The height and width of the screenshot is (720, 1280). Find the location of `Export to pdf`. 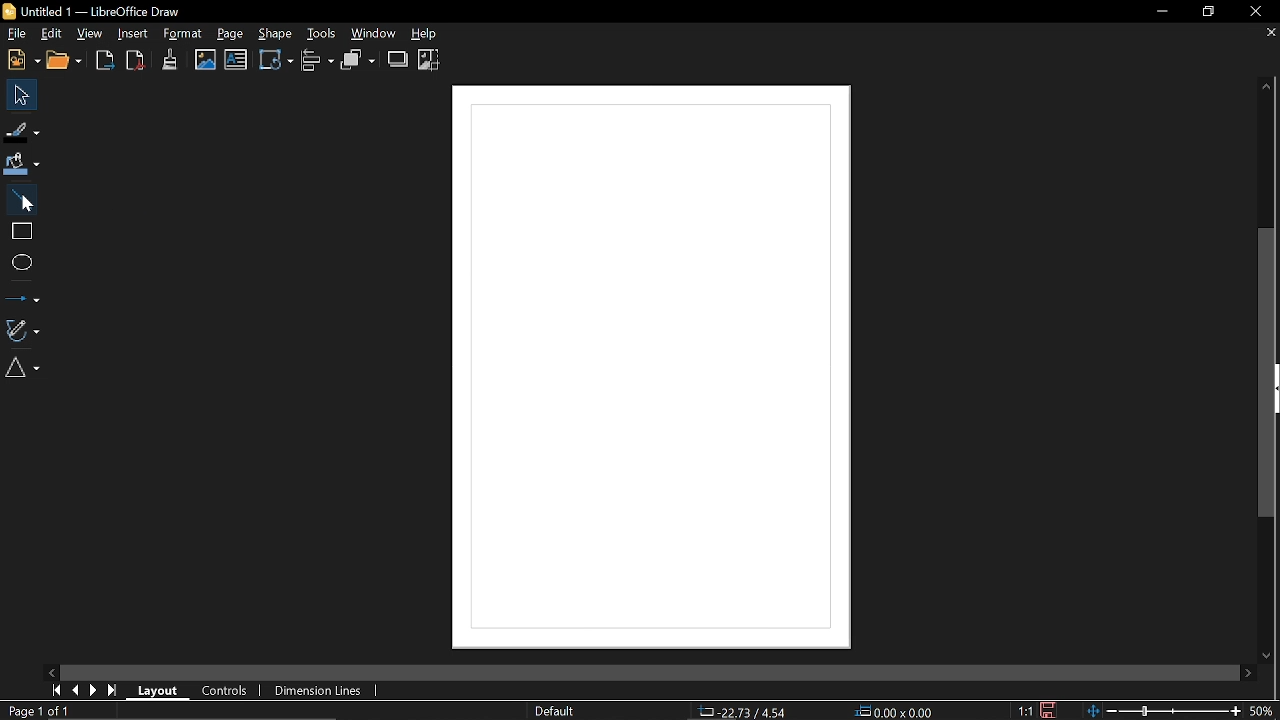

Export to pdf is located at coordinates (134, 60).